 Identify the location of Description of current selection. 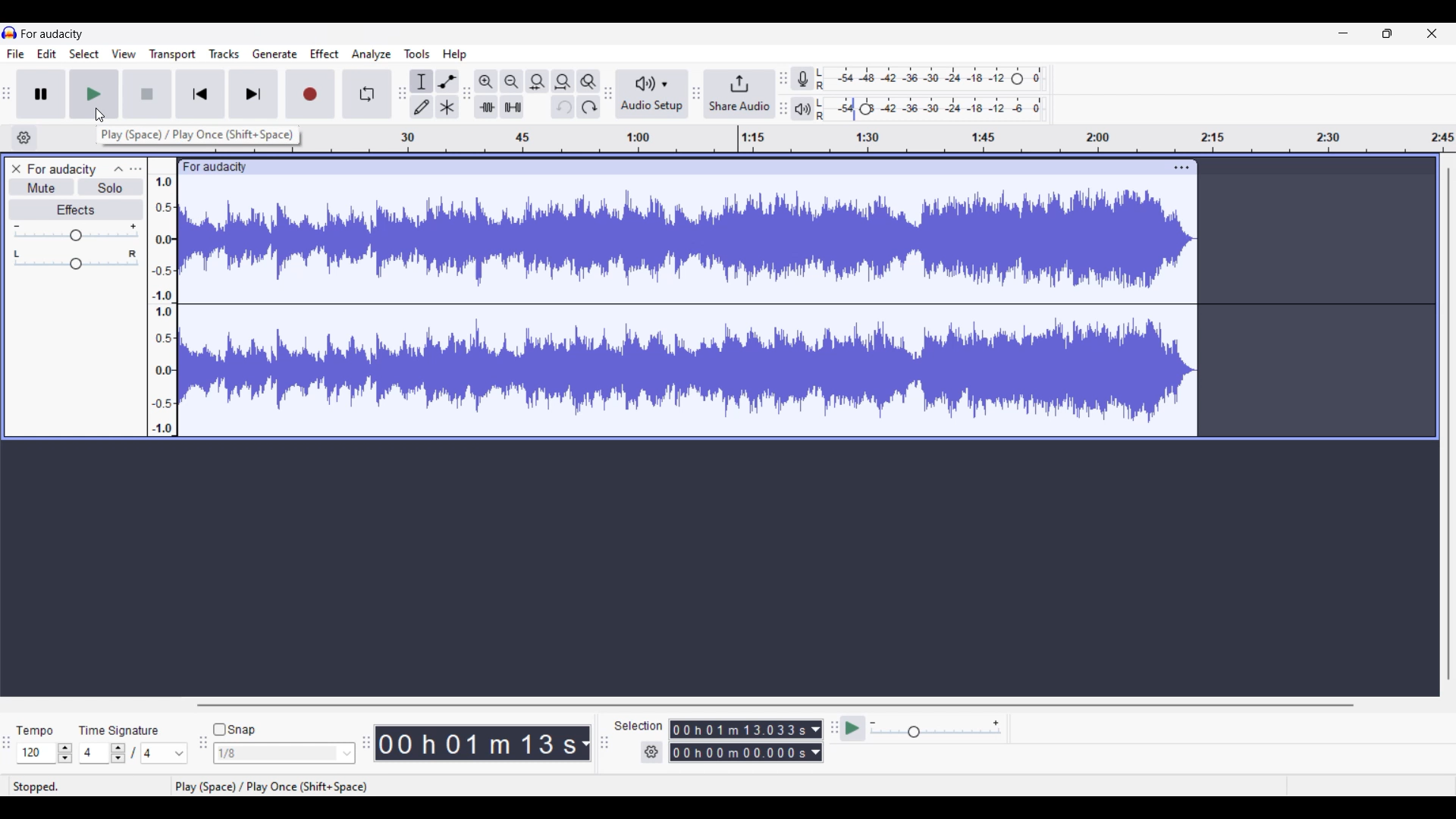
(198, 134).